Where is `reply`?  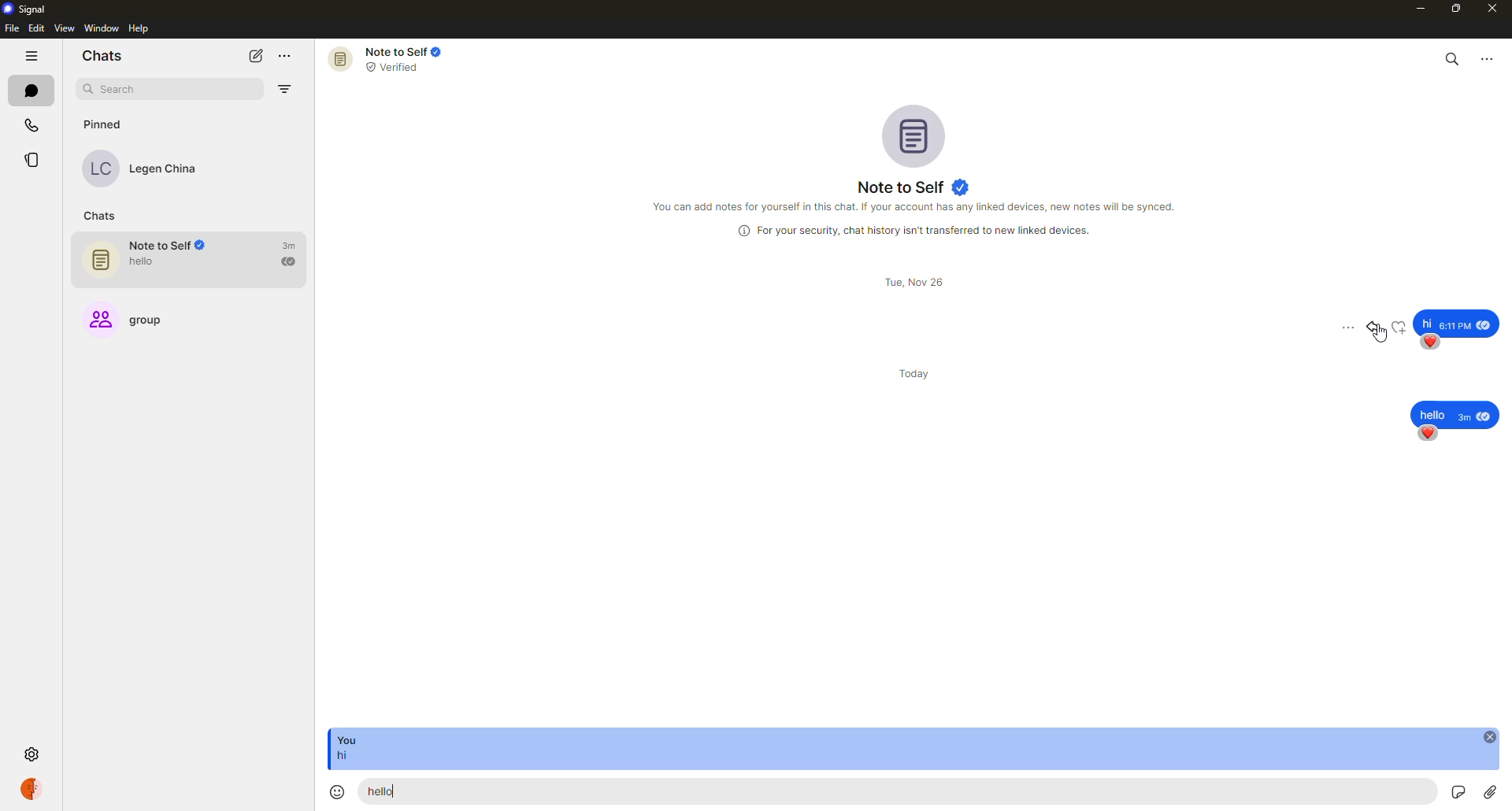
reply is located at coordinates (1377, 328).